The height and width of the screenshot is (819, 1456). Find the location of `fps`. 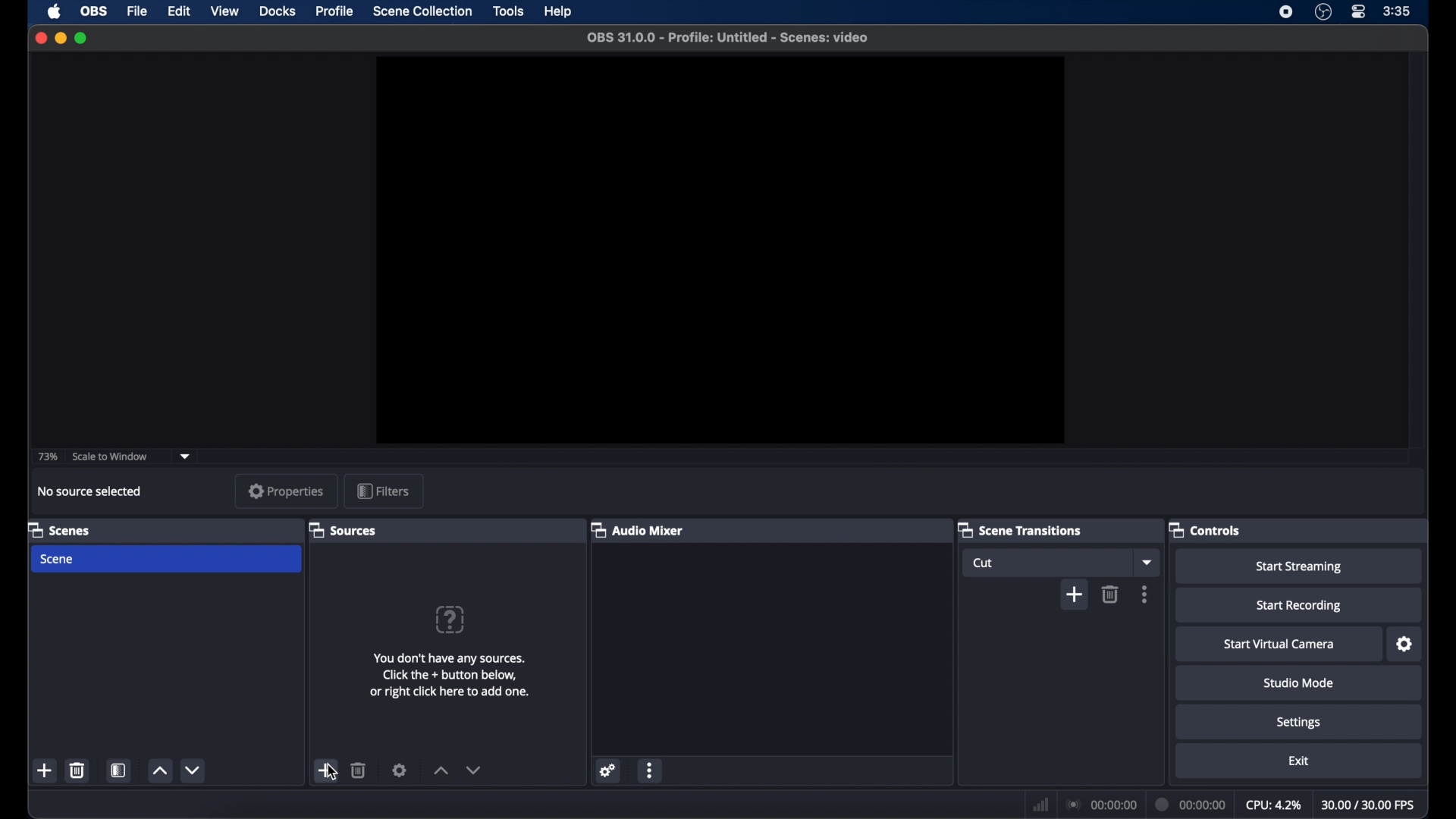

fps is located at coordinates (1370, 805).